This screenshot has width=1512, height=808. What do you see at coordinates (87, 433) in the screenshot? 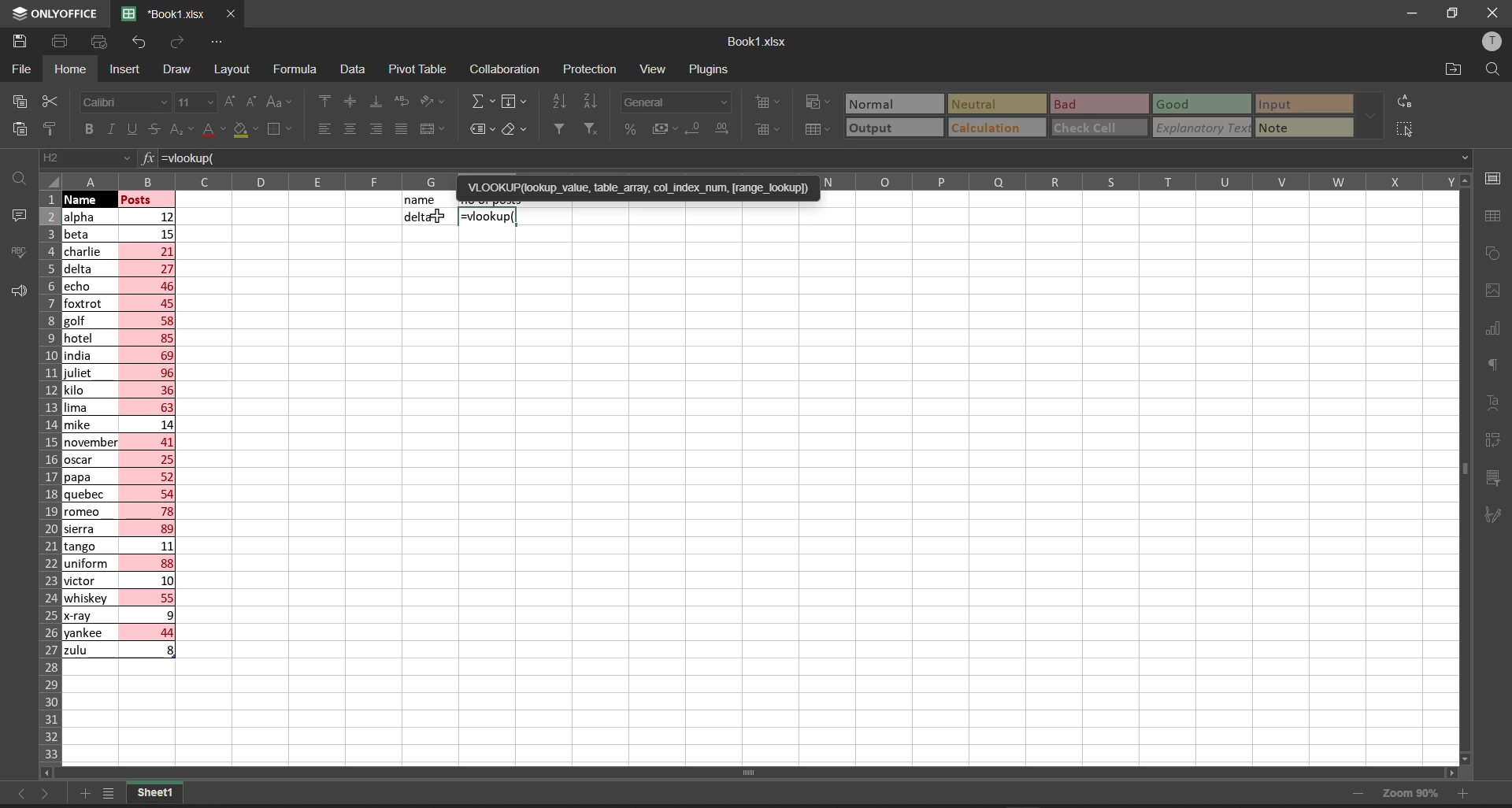
I see `names` at bounding box center [87, 433].